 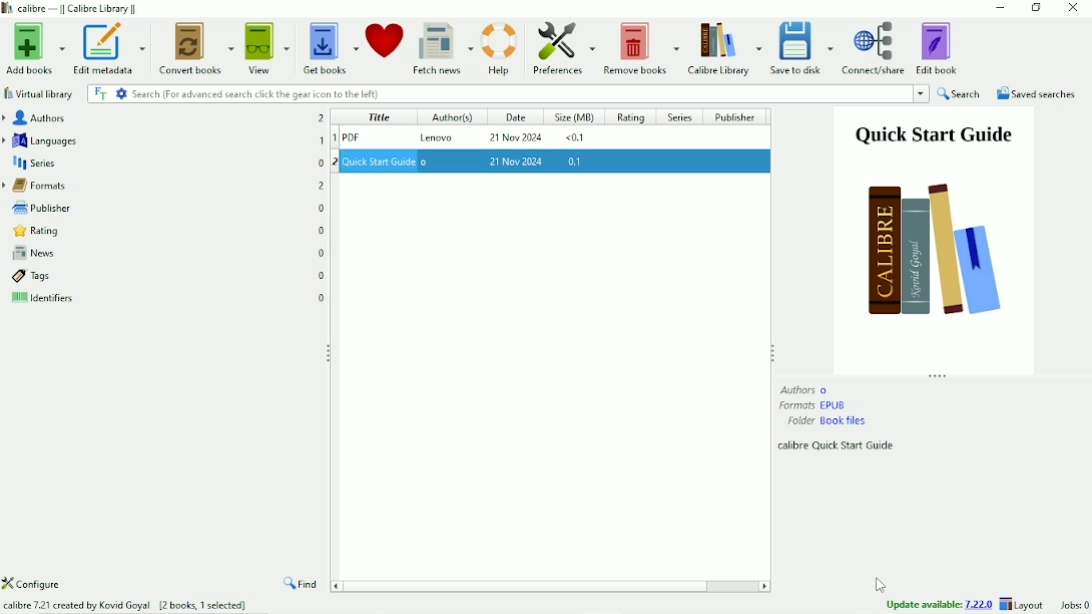 What do you see at coordinates (576, 162) in the screenshot?
I see `0.1` at bounding box center [576, 162].